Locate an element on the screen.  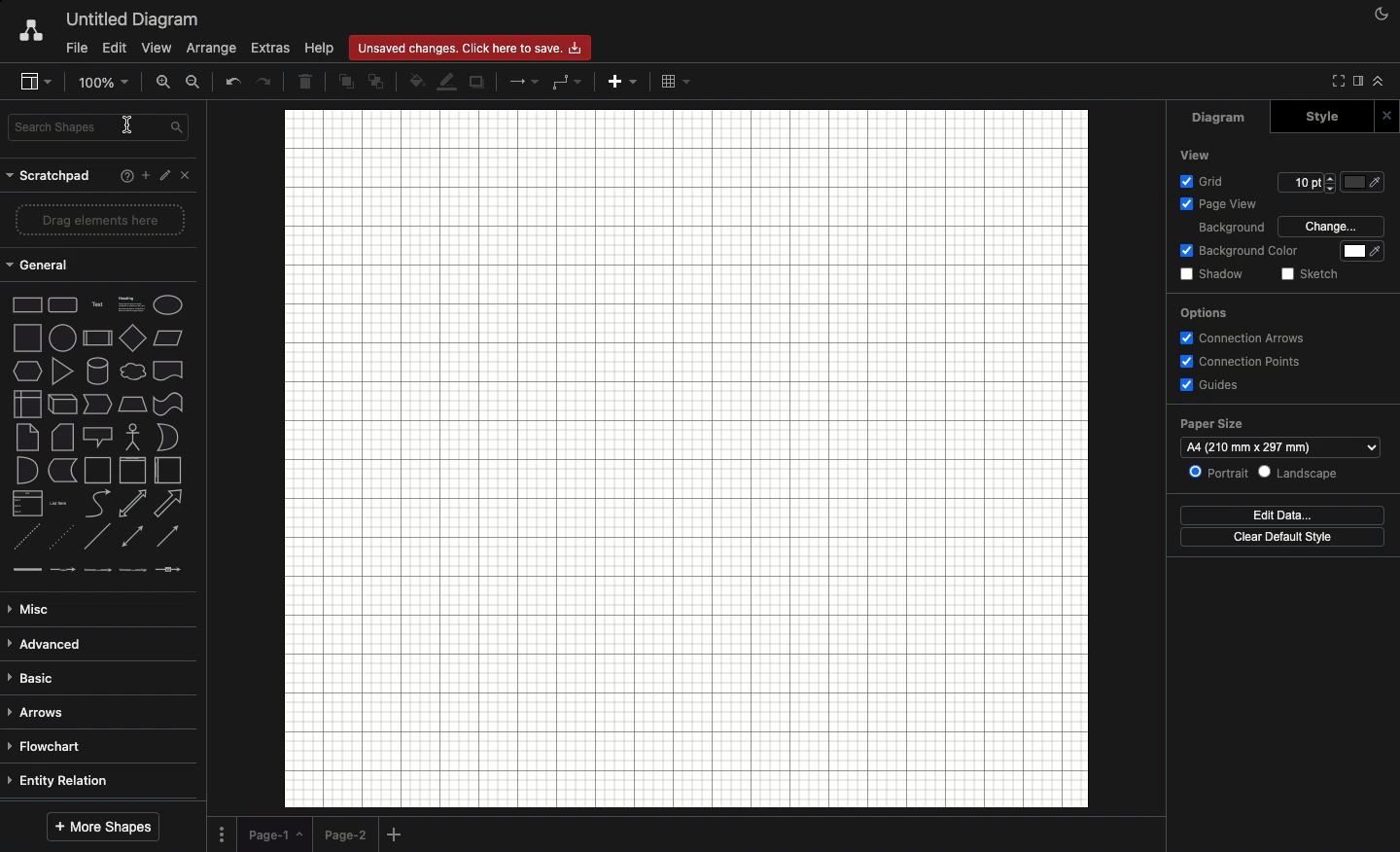
Guides is located at coordinates (1211, 385).